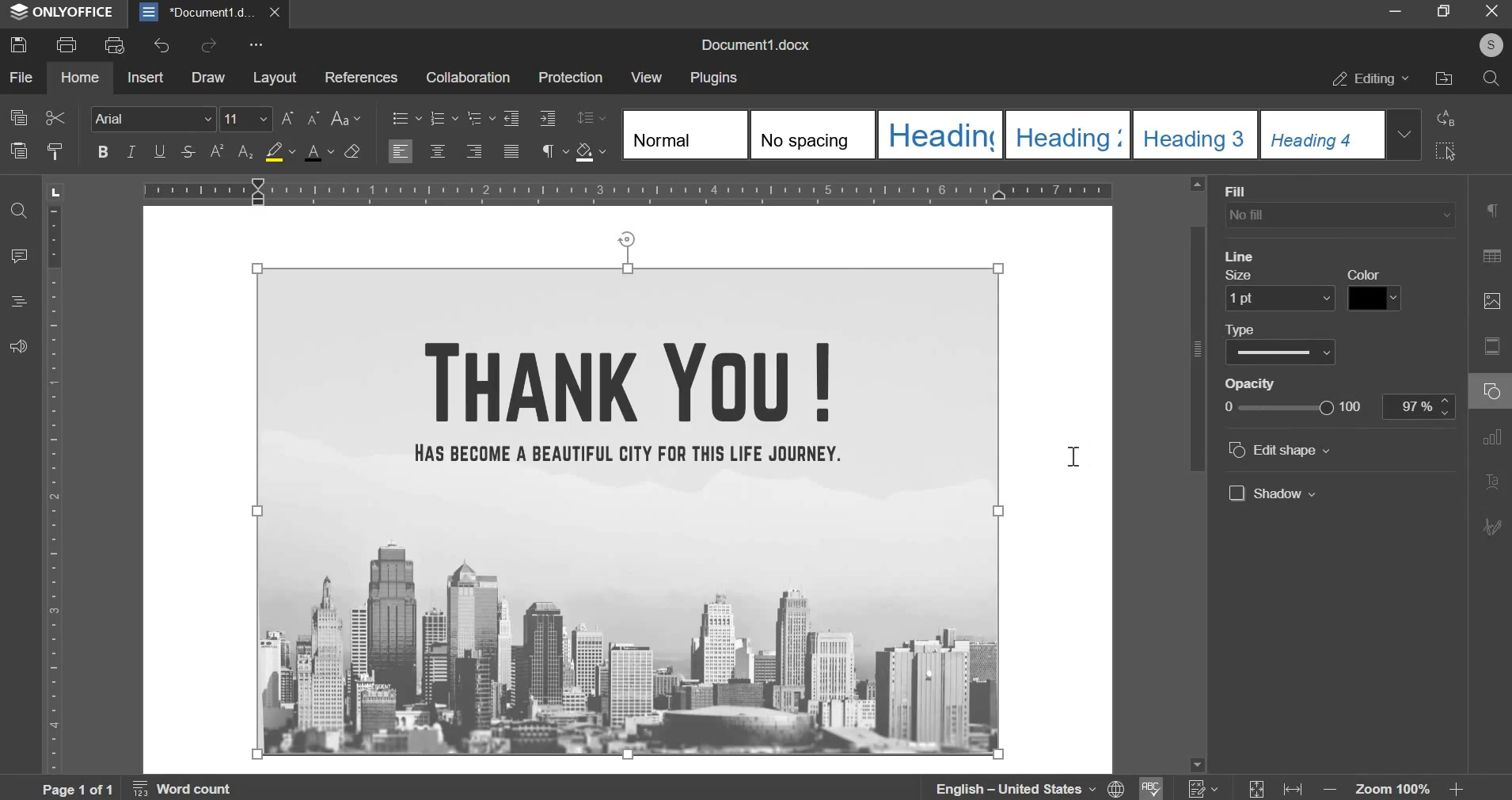 The height and width of the screenshot is (800, 1512). Describe the element at coordinates (57, 490) in the screenshot. I see `ruler` at that location.